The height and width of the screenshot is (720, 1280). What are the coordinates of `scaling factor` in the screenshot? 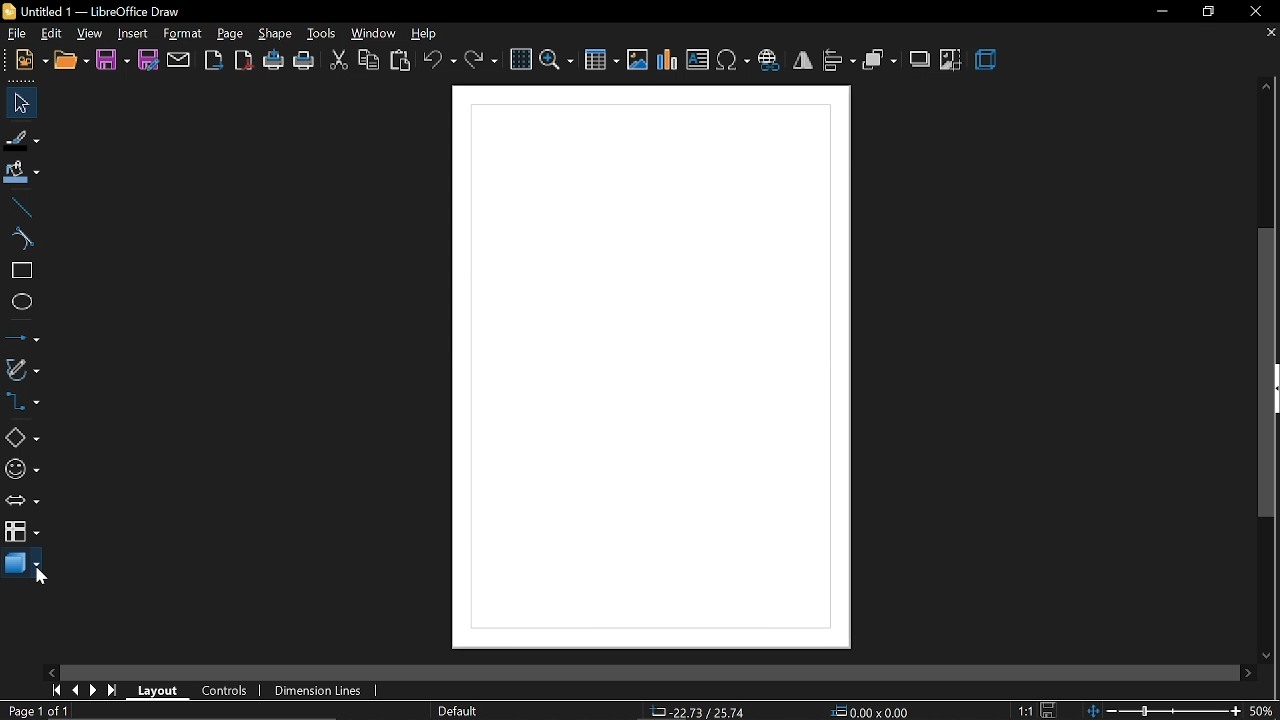 It's located at (1024, 711).